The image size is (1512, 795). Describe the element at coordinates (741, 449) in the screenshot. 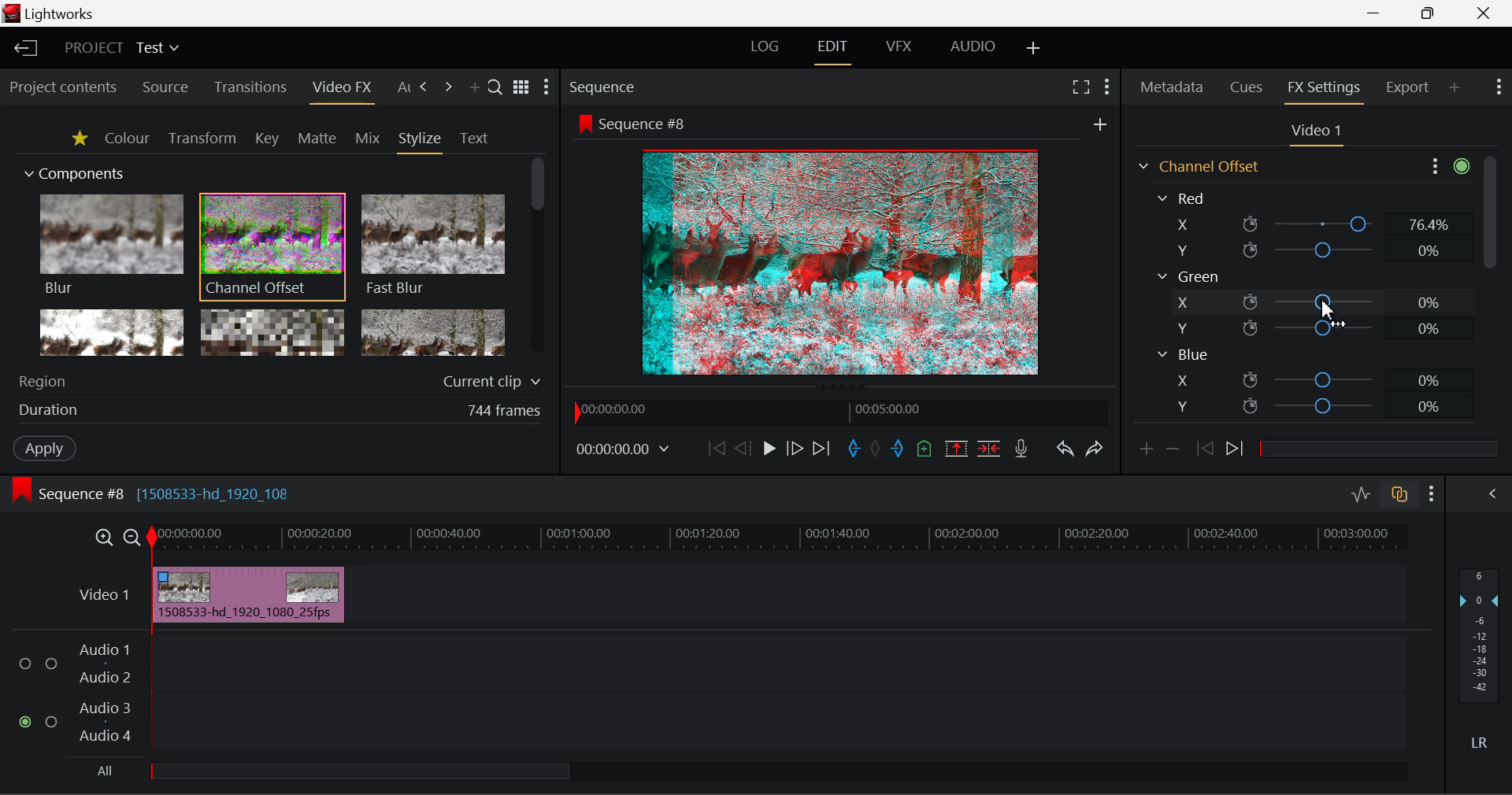

I see `Go Back` at that location.